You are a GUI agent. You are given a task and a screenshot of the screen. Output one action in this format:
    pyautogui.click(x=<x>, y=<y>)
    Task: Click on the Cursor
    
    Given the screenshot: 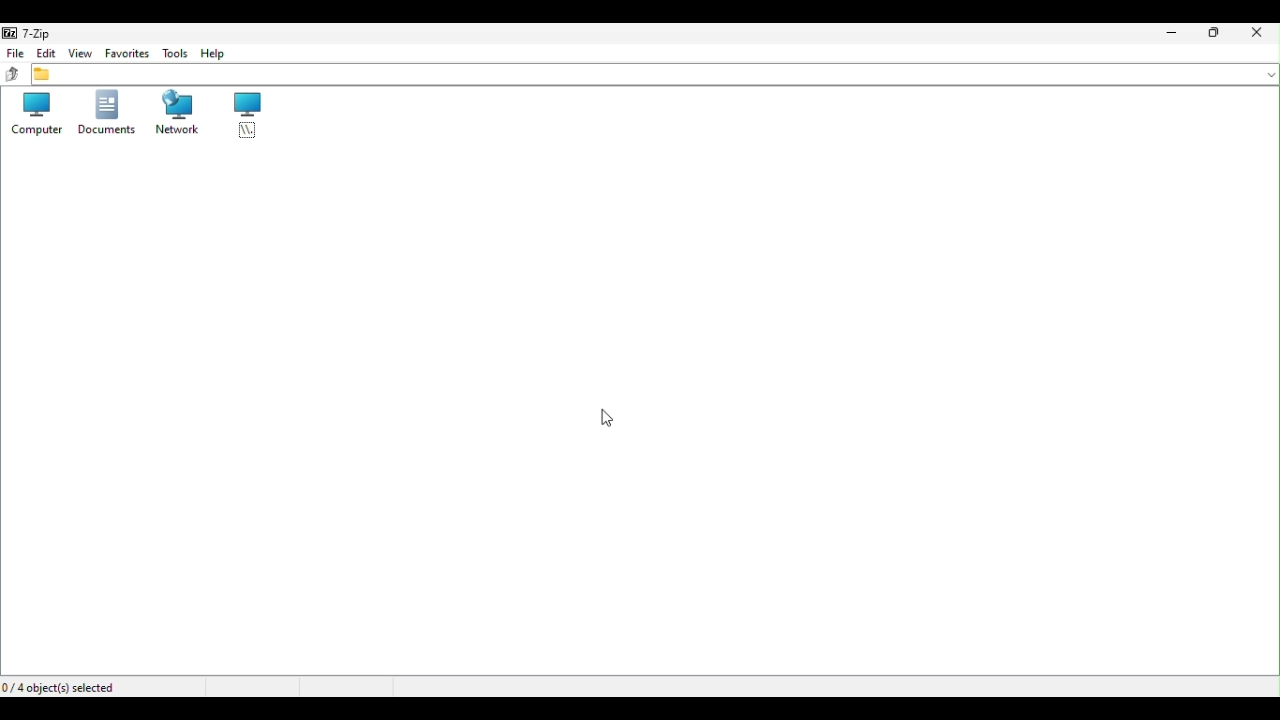 What is the action you would take?
    pyautogui.click(x=611, y=420)
    